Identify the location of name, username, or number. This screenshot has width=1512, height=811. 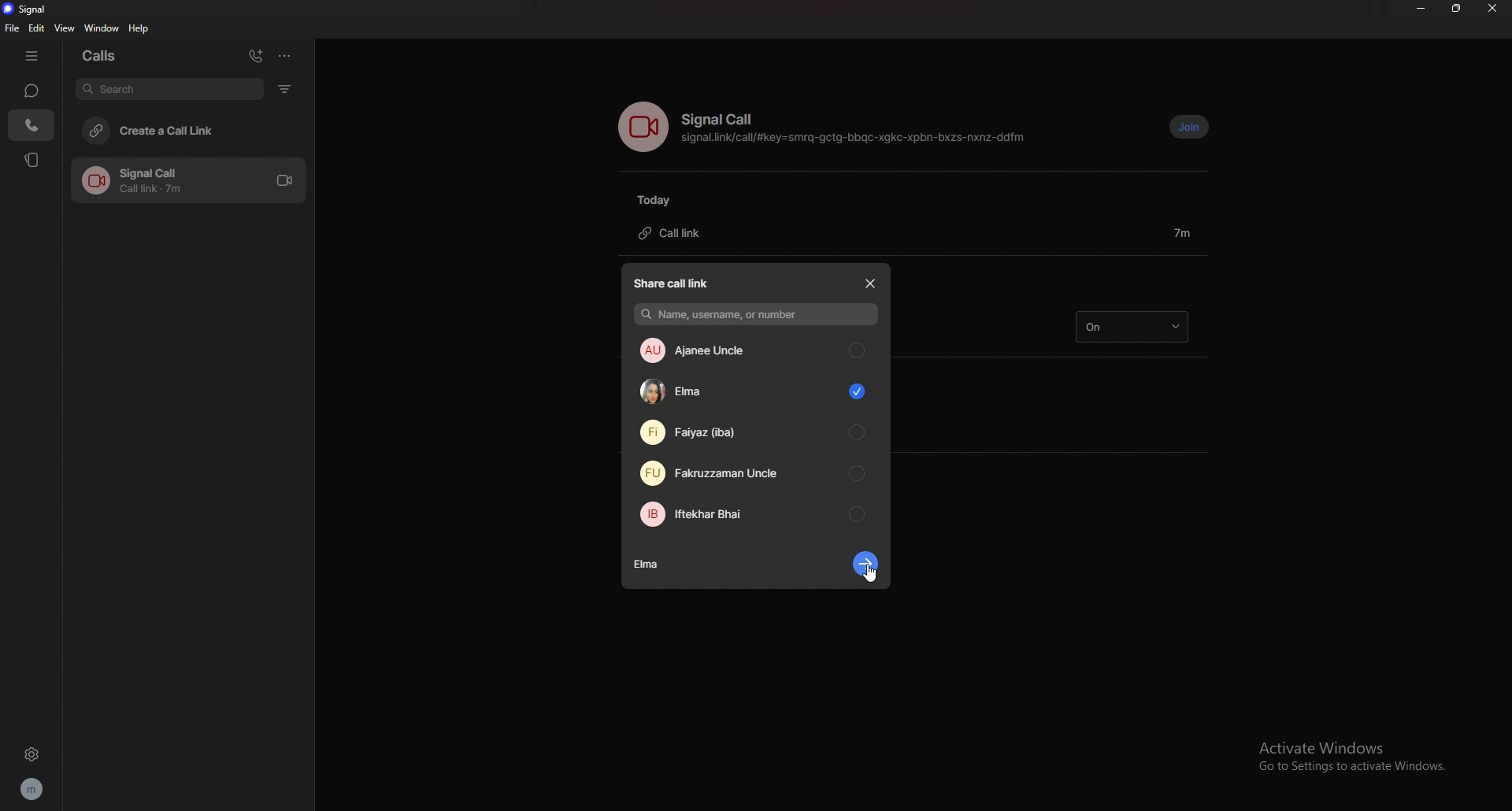
(757, 315).